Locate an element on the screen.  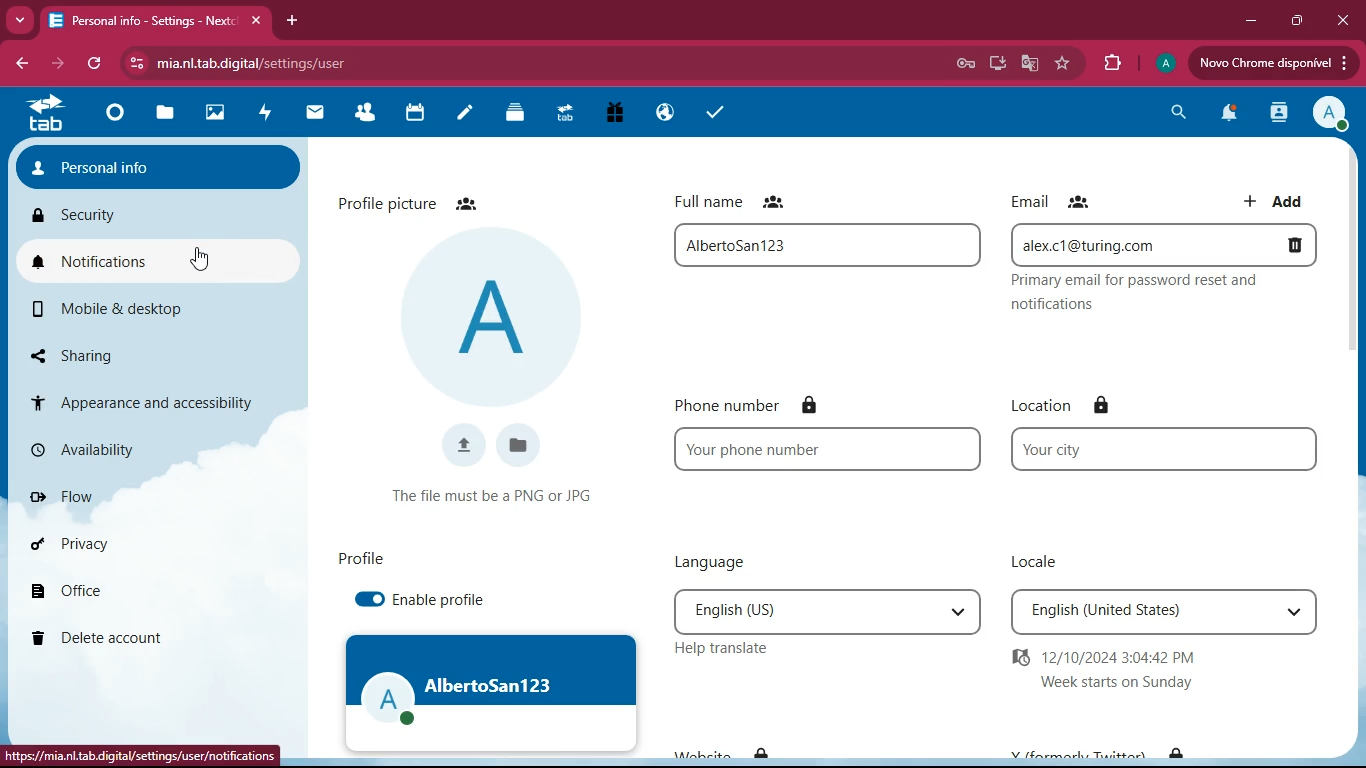
description is located at coordinates (487, 498).